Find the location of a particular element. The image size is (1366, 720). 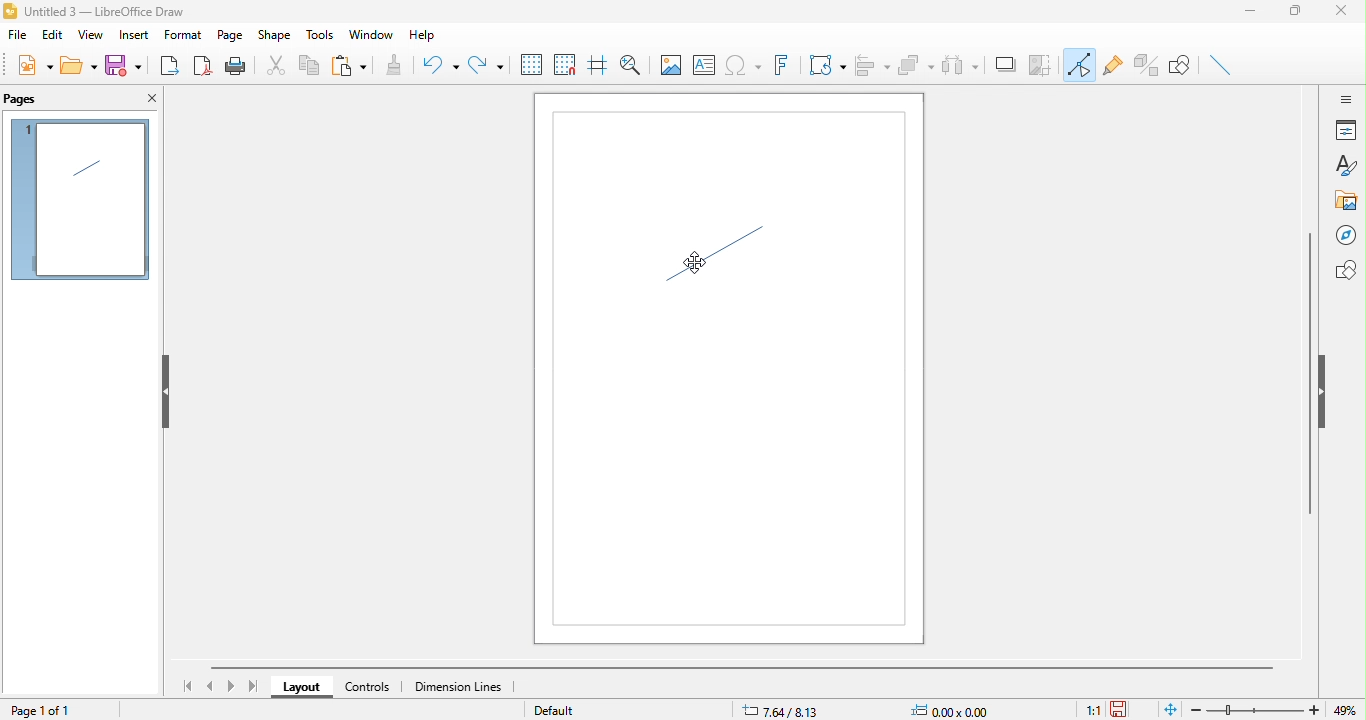

font work text is located at coordinates (786, 69).